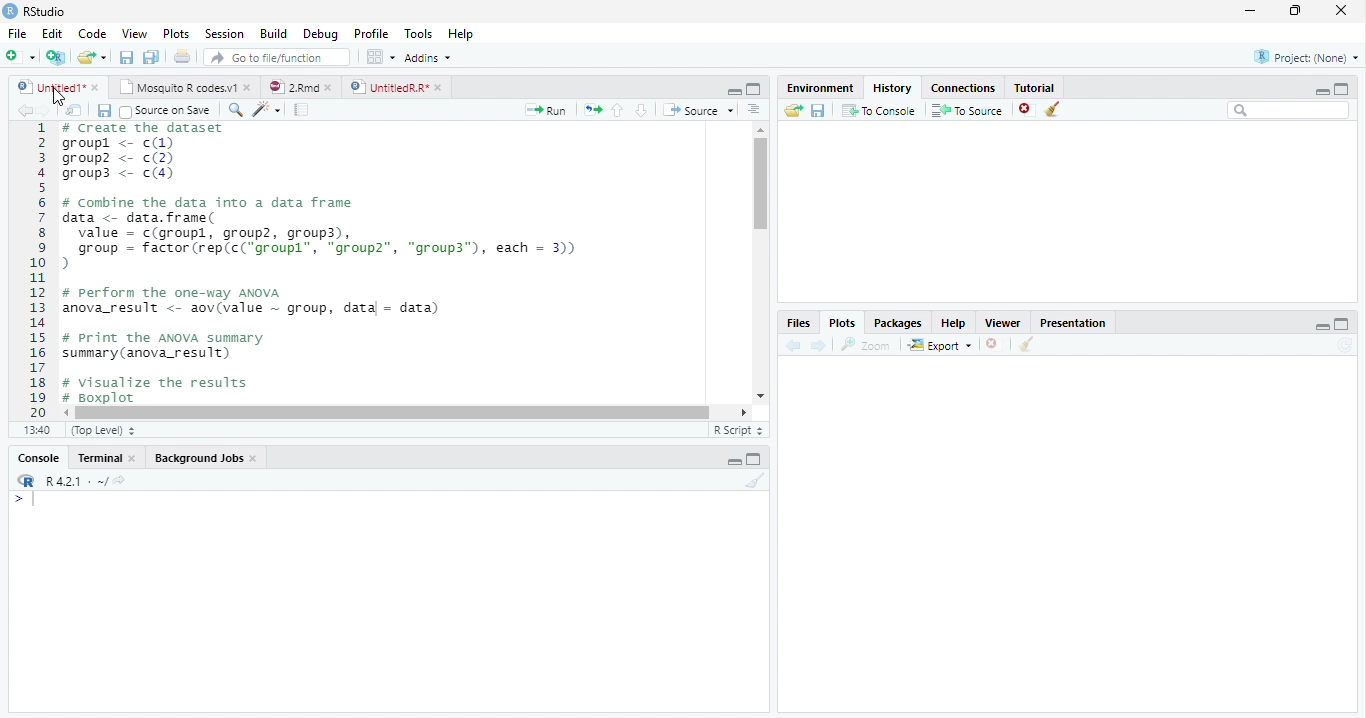 Image resolution: width=1366 pixels, height=718 pixels. What do you see at coordinates (299, 85) in the screenshot?
I see `2Rmd` at bounding box center [299, 85].